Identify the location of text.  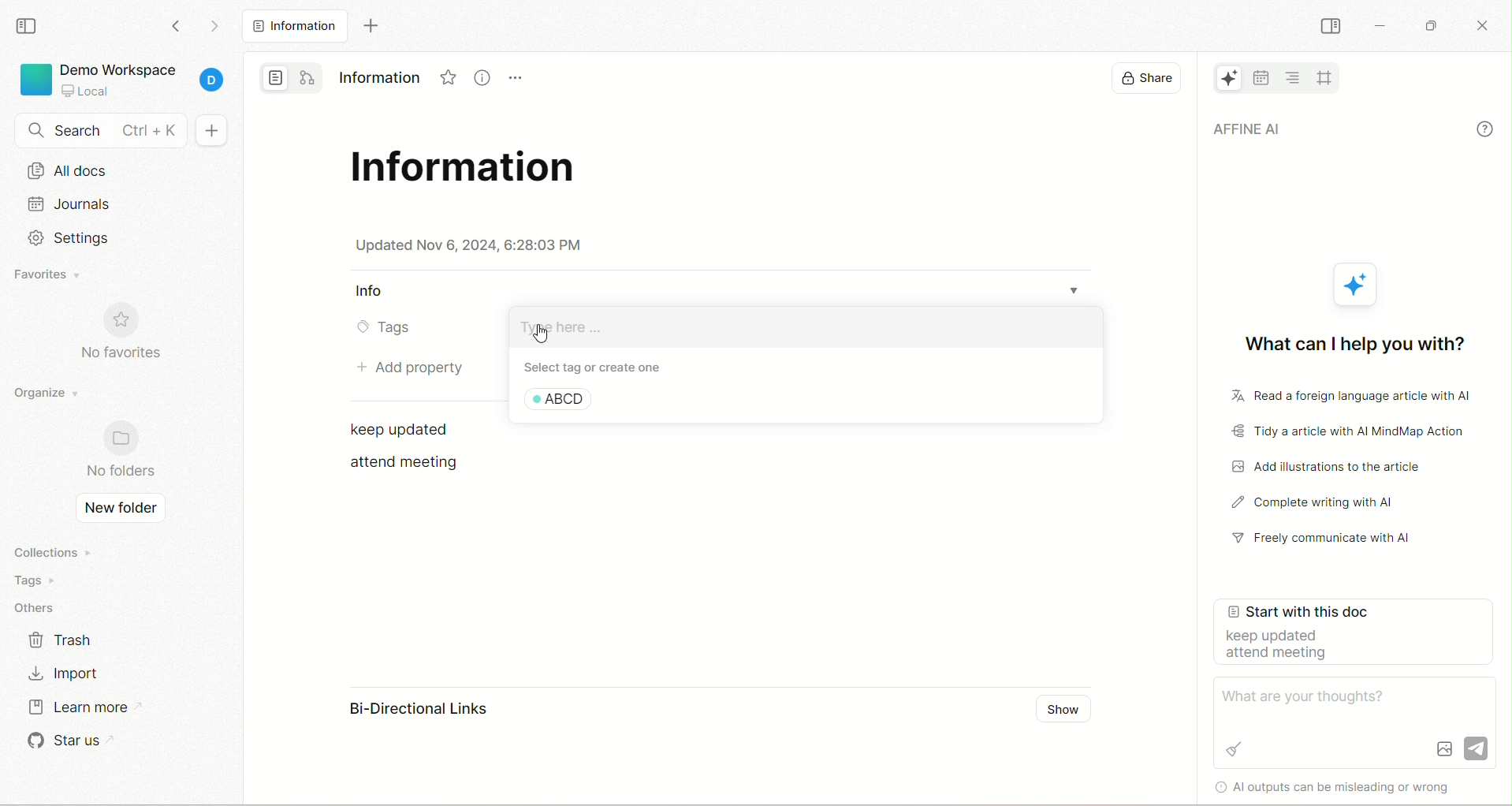
(407, 464).